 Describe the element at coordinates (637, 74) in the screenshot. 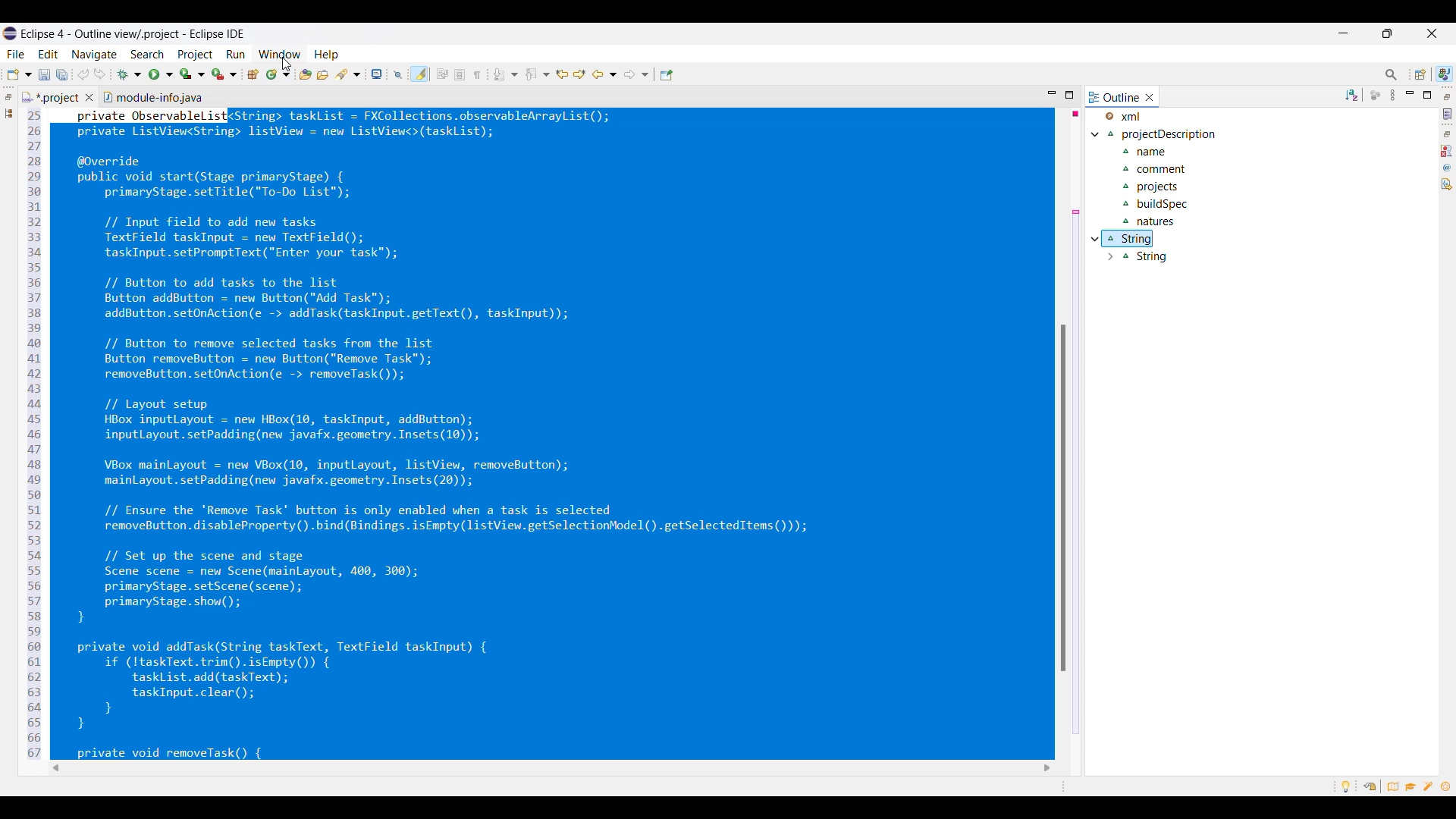

I see `Forward options` at that location.